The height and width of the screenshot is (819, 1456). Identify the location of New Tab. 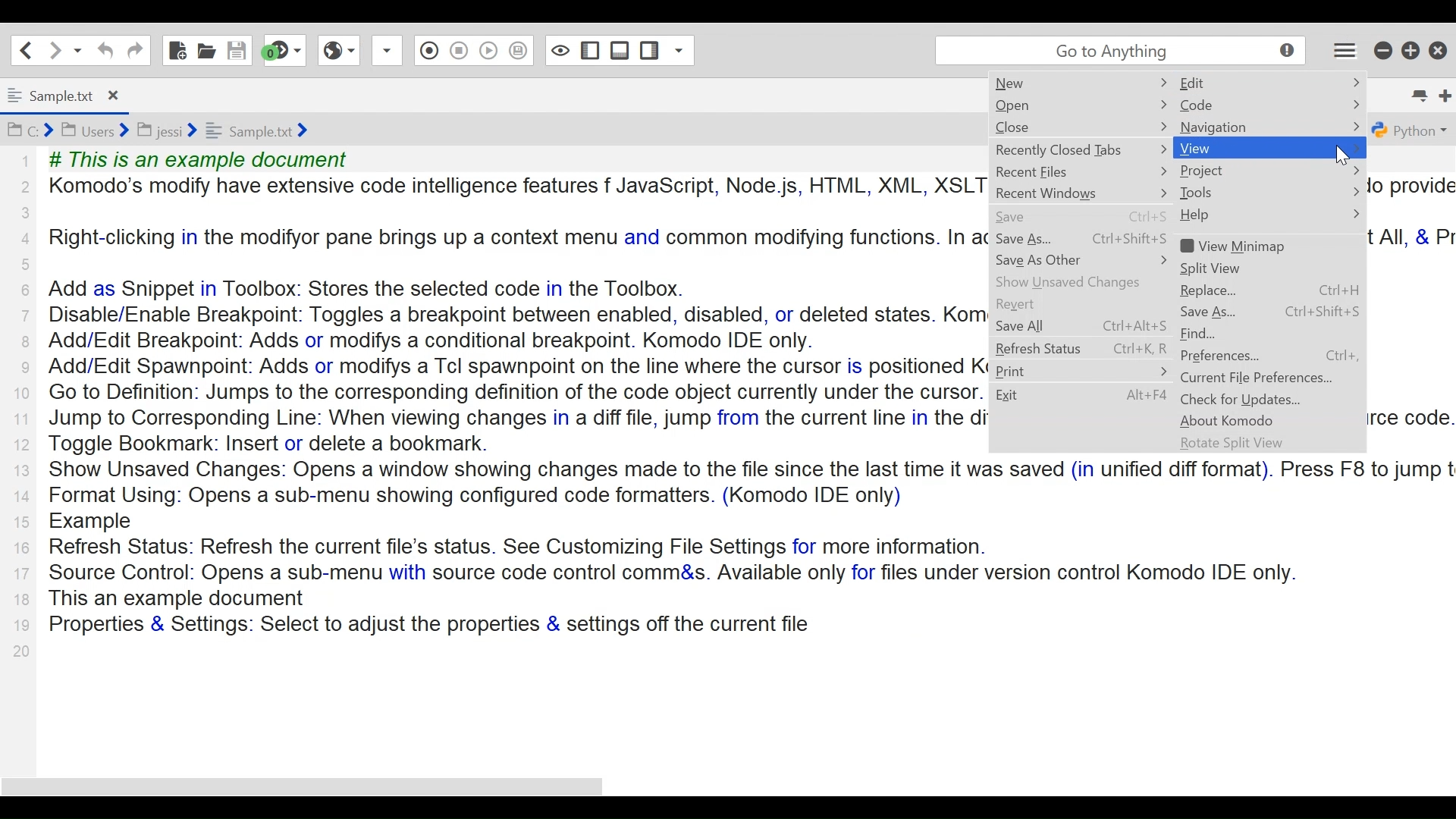
(1440, 92).